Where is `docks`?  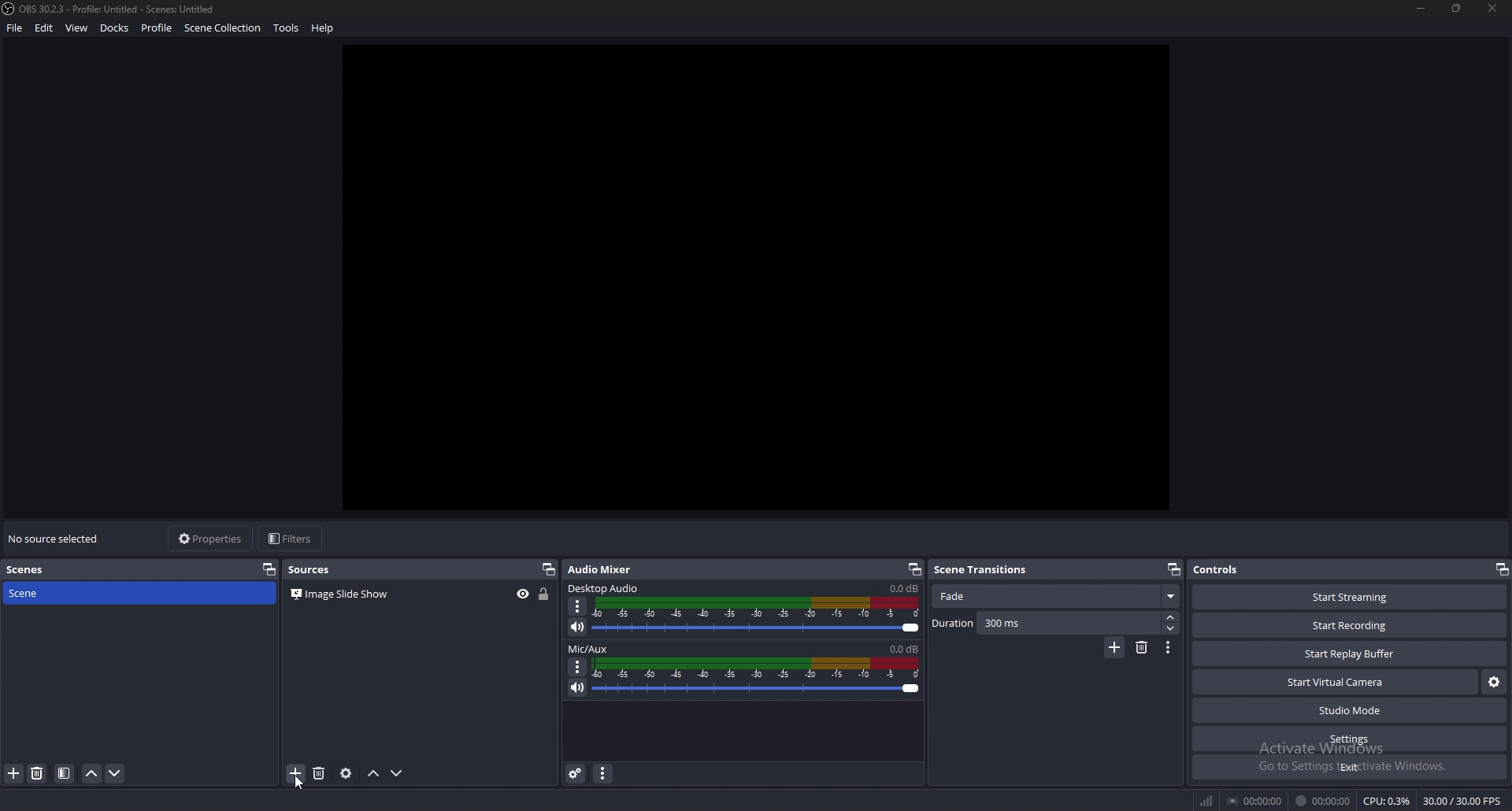 docks is located at coordinates (117, 28).